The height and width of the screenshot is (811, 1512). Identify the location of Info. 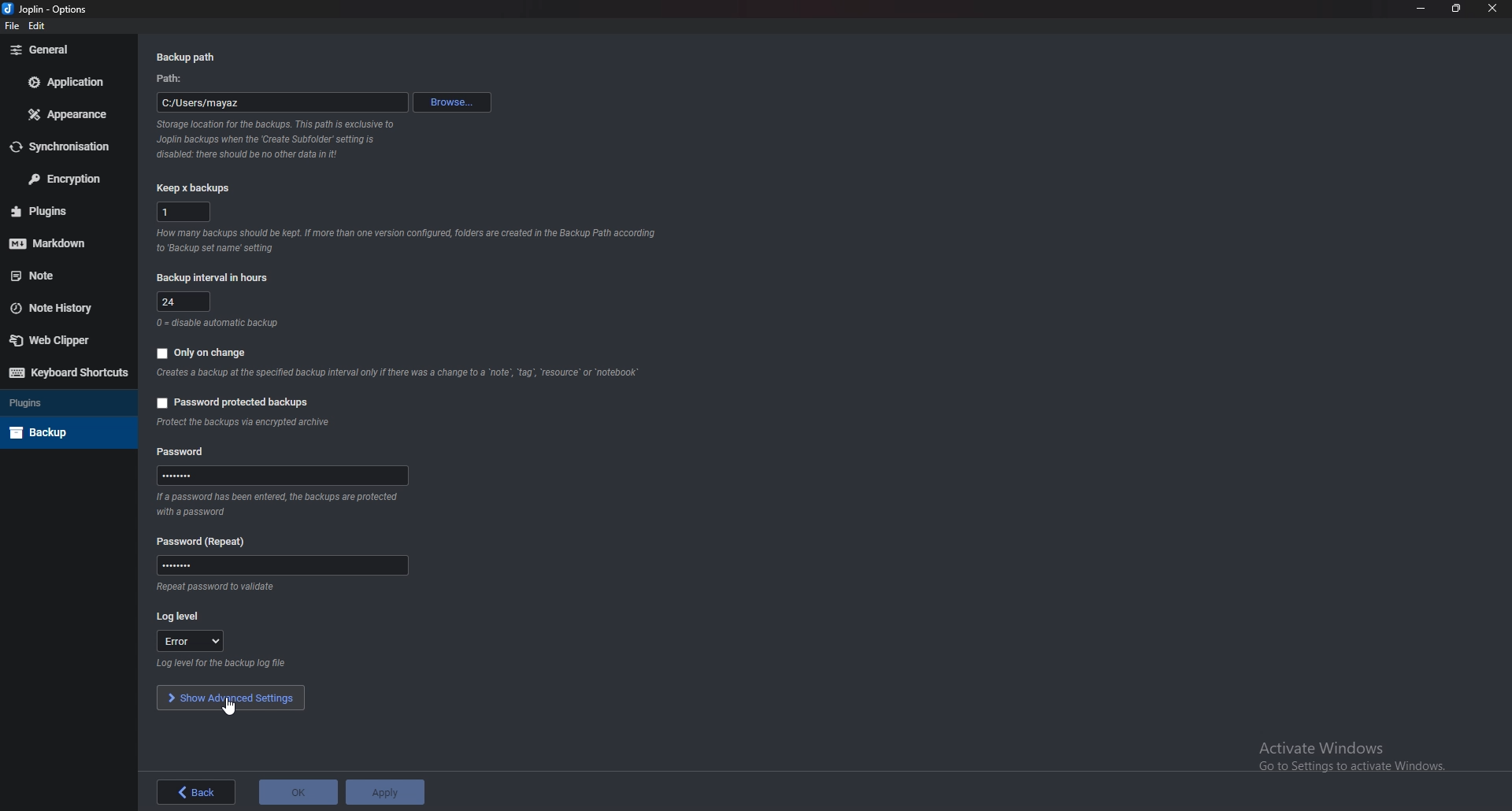
(402, 373).